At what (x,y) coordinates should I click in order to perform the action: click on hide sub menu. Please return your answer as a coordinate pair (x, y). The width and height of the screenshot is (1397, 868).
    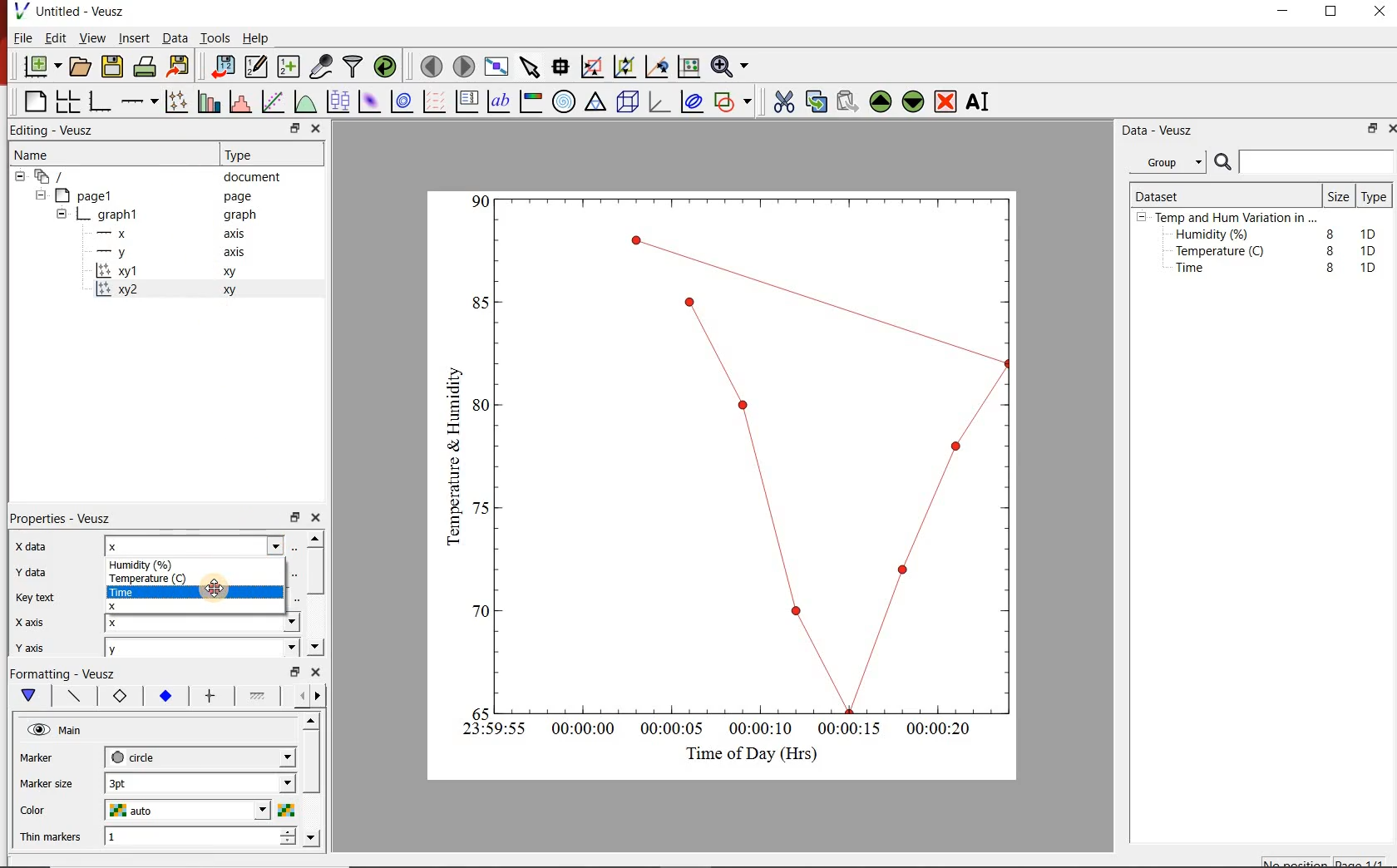
    Looking at the image, I should click on (43, 197).